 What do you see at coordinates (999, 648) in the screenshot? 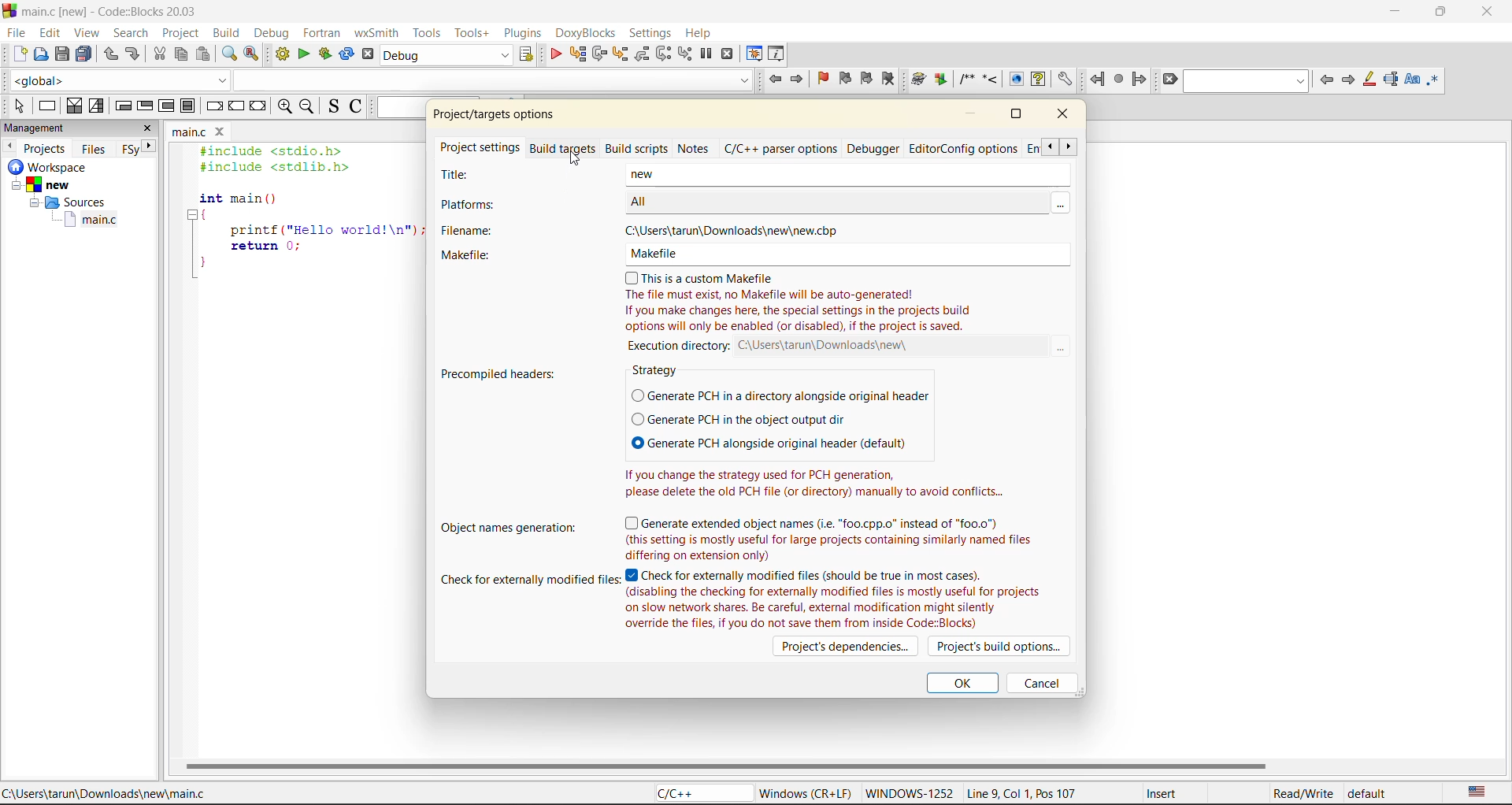
I see `projects build options` at bounding box center [999, 648].